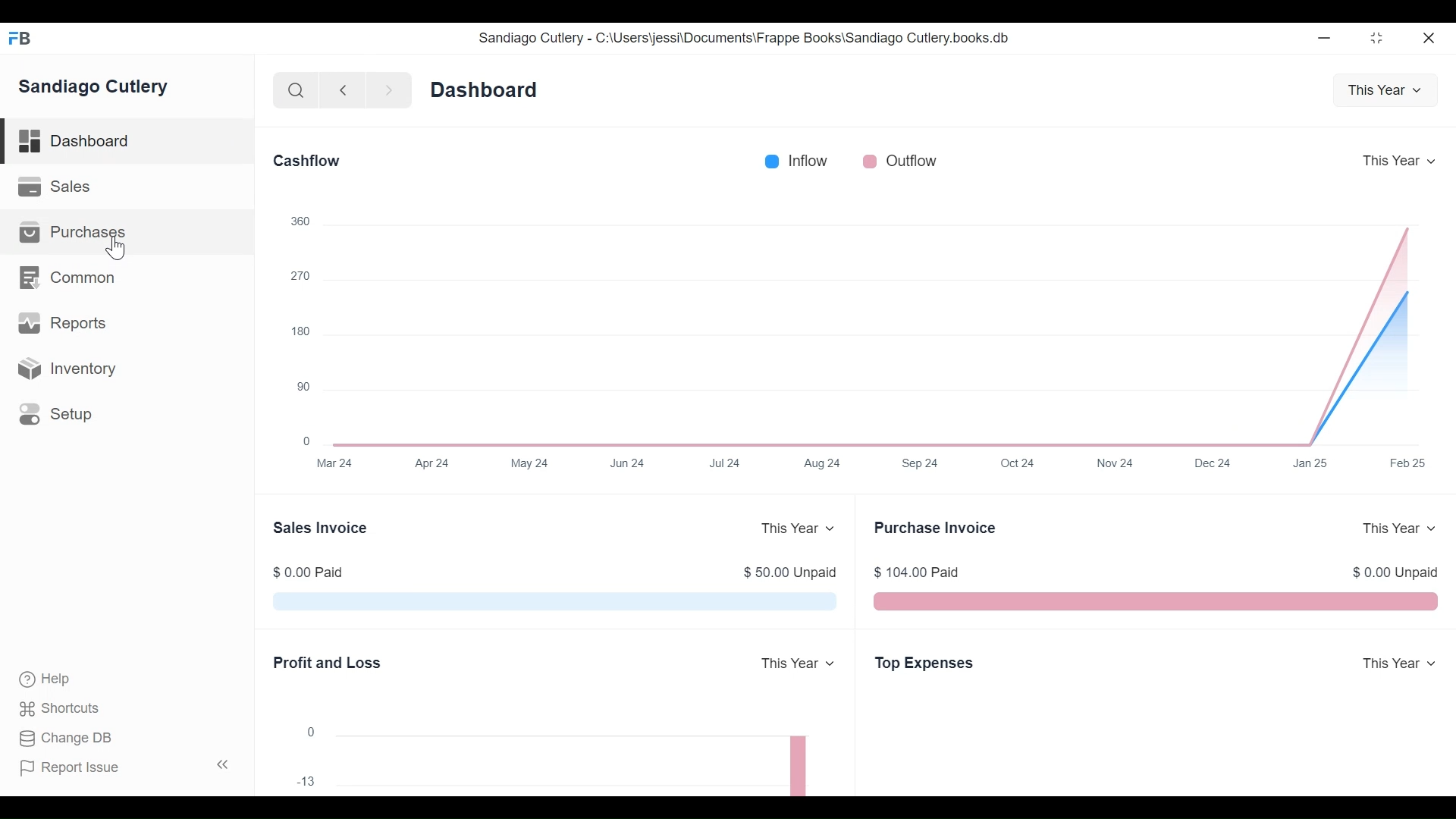 The height and width of the screenshot is (819, 1456). Describe the element at coordinates (324, 529) in the screenshot. I see `Sales Invoice` at that location.